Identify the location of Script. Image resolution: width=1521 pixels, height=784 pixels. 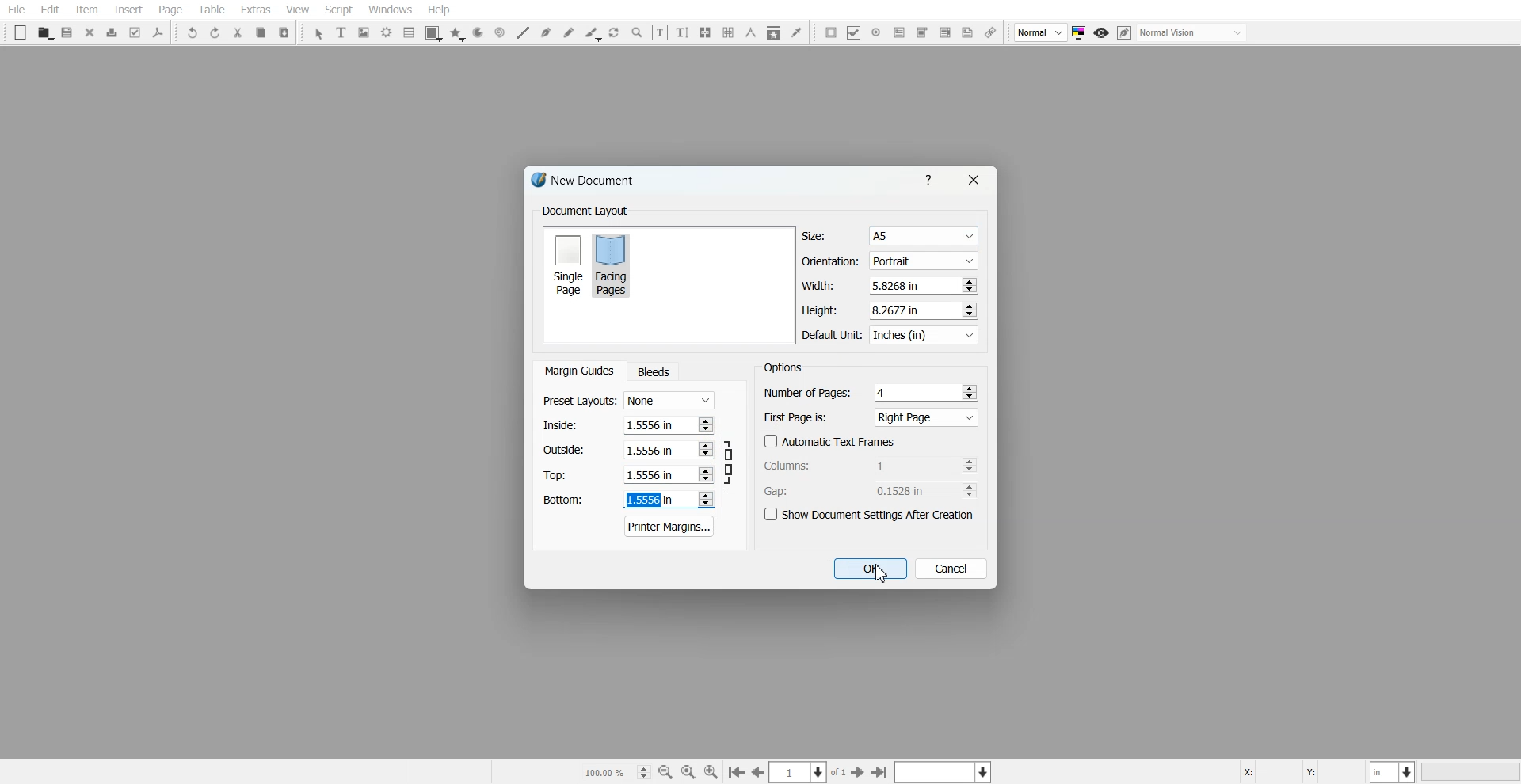
(339, 10).